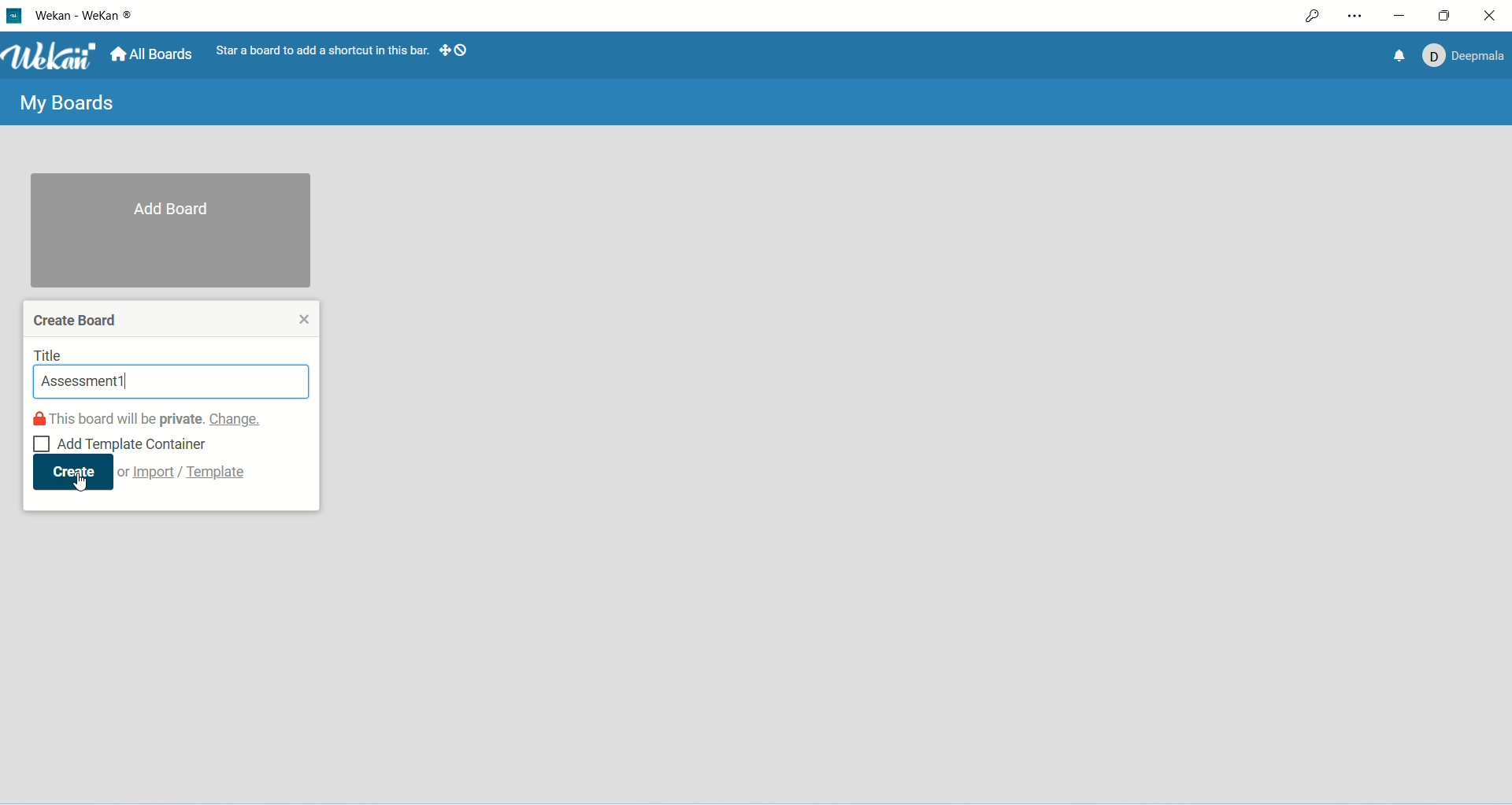 The width and height of the screenshot is (1512, 805). I want to click on settings and more, so click(1354, 16).